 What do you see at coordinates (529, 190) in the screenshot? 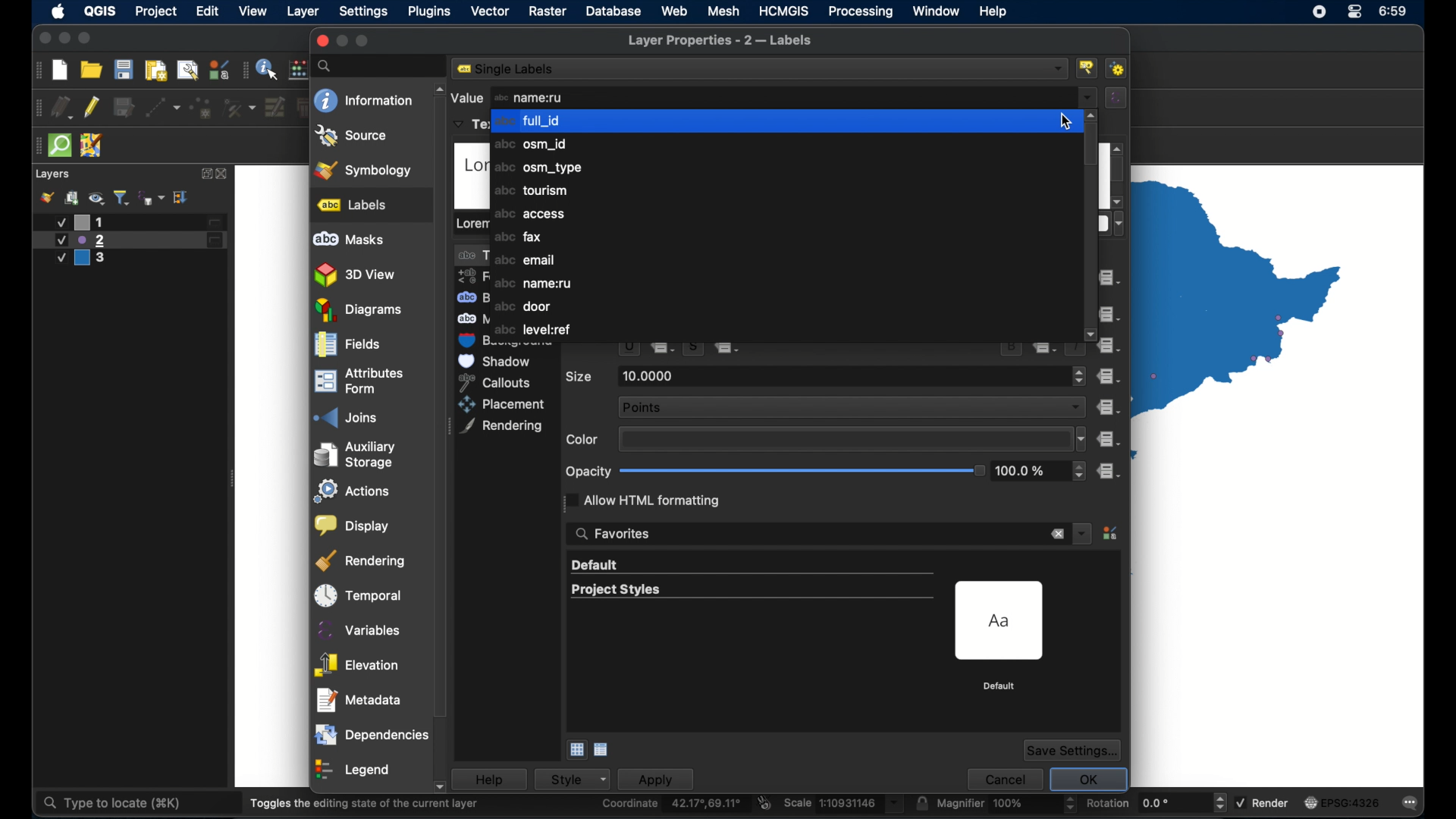
I see `tourism` at bounding box center [529, 190].